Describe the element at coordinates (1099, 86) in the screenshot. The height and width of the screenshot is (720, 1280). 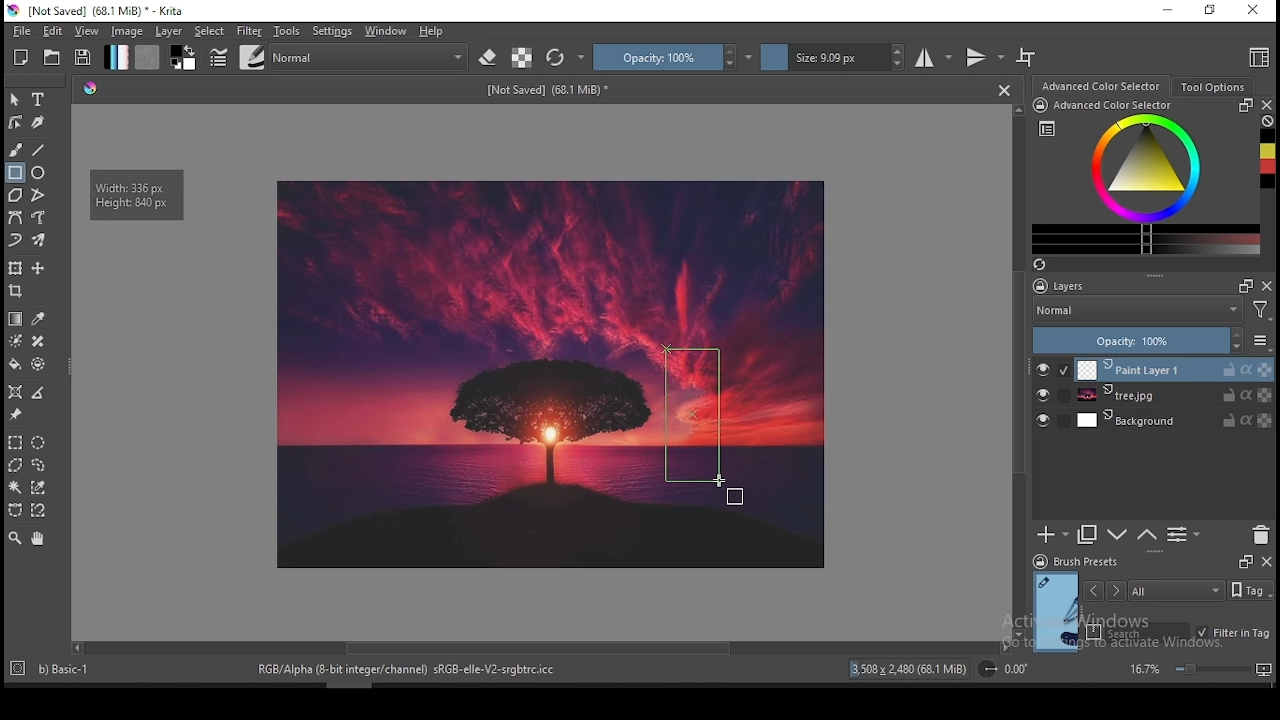
I see `advance color selector` at that location.